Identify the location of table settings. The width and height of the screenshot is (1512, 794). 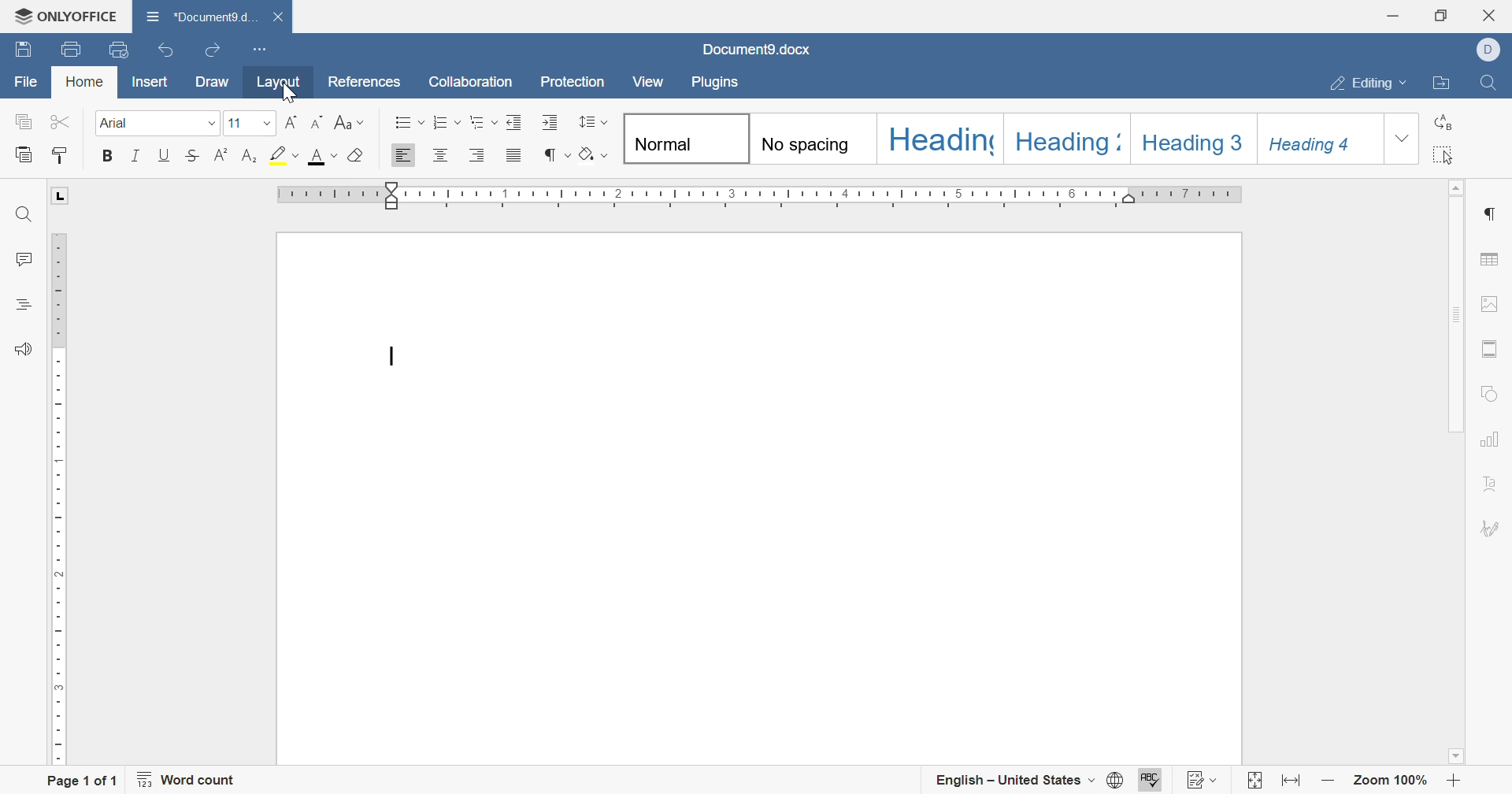
(1489, 261).